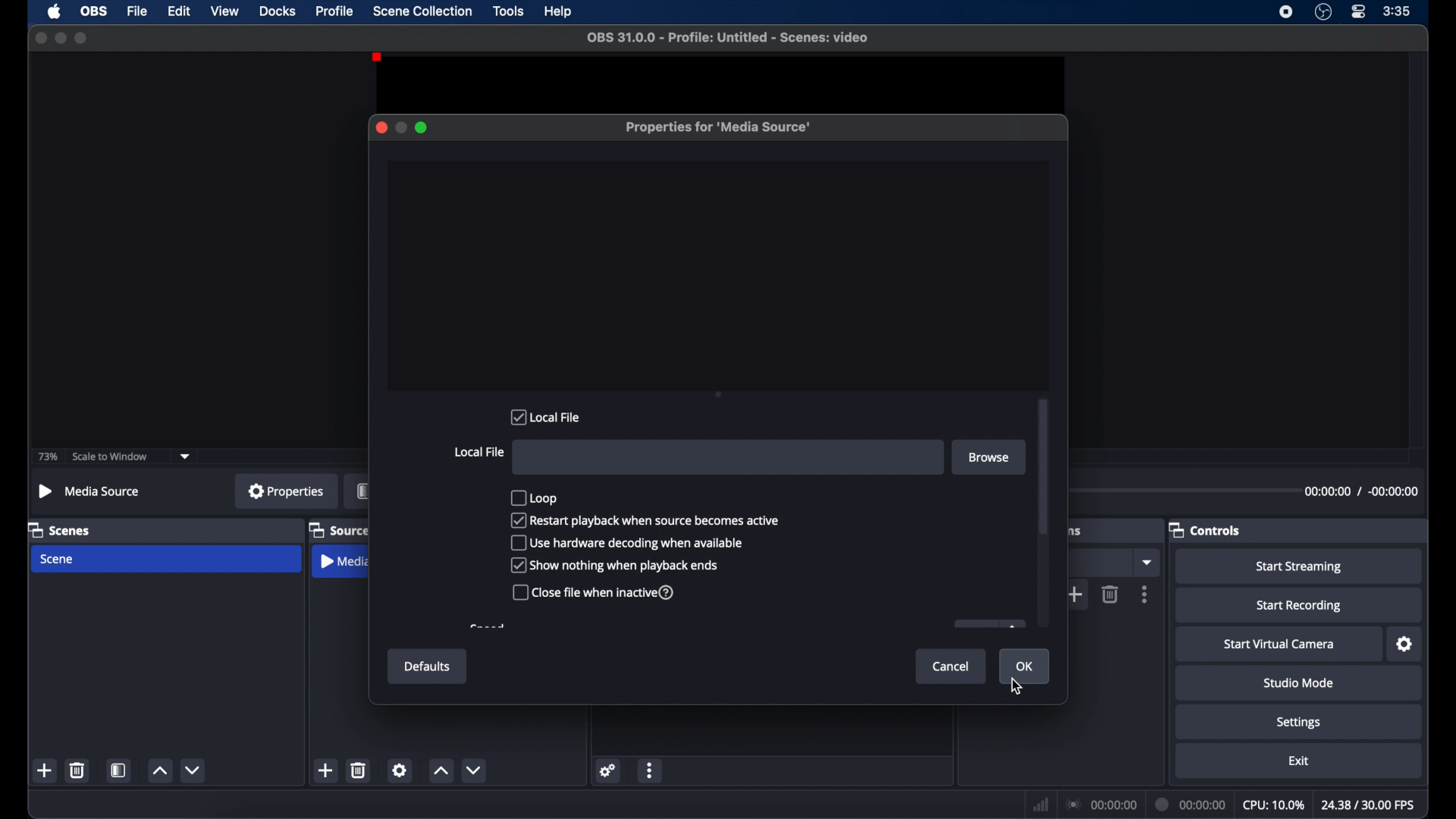 This screenshot has height=819, width=1456. What do you see at coordinates (40, 38) in the screenshot?
I see `close` at bounding box center [40, 38].